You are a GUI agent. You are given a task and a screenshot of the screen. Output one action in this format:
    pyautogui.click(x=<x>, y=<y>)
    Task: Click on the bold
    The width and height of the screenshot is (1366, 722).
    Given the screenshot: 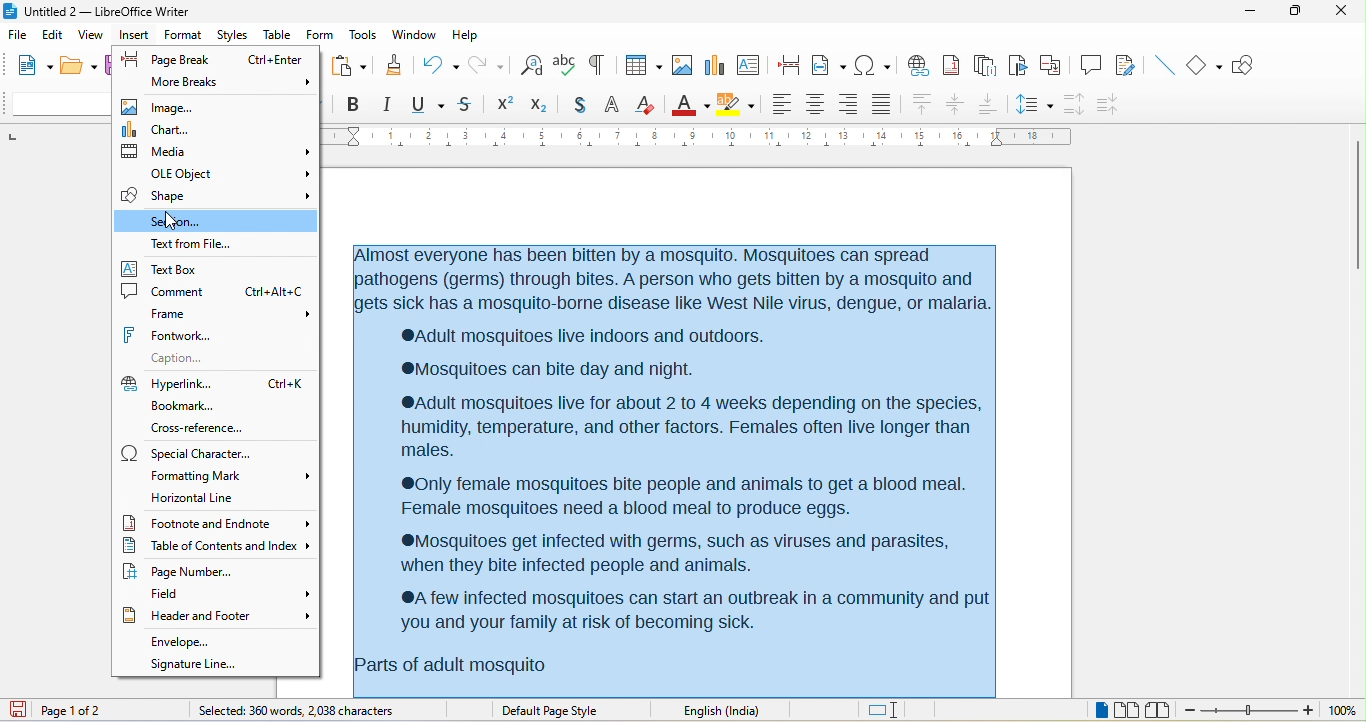 What is the action you would take?
    pyautogui.click(x=353, y=103)
    